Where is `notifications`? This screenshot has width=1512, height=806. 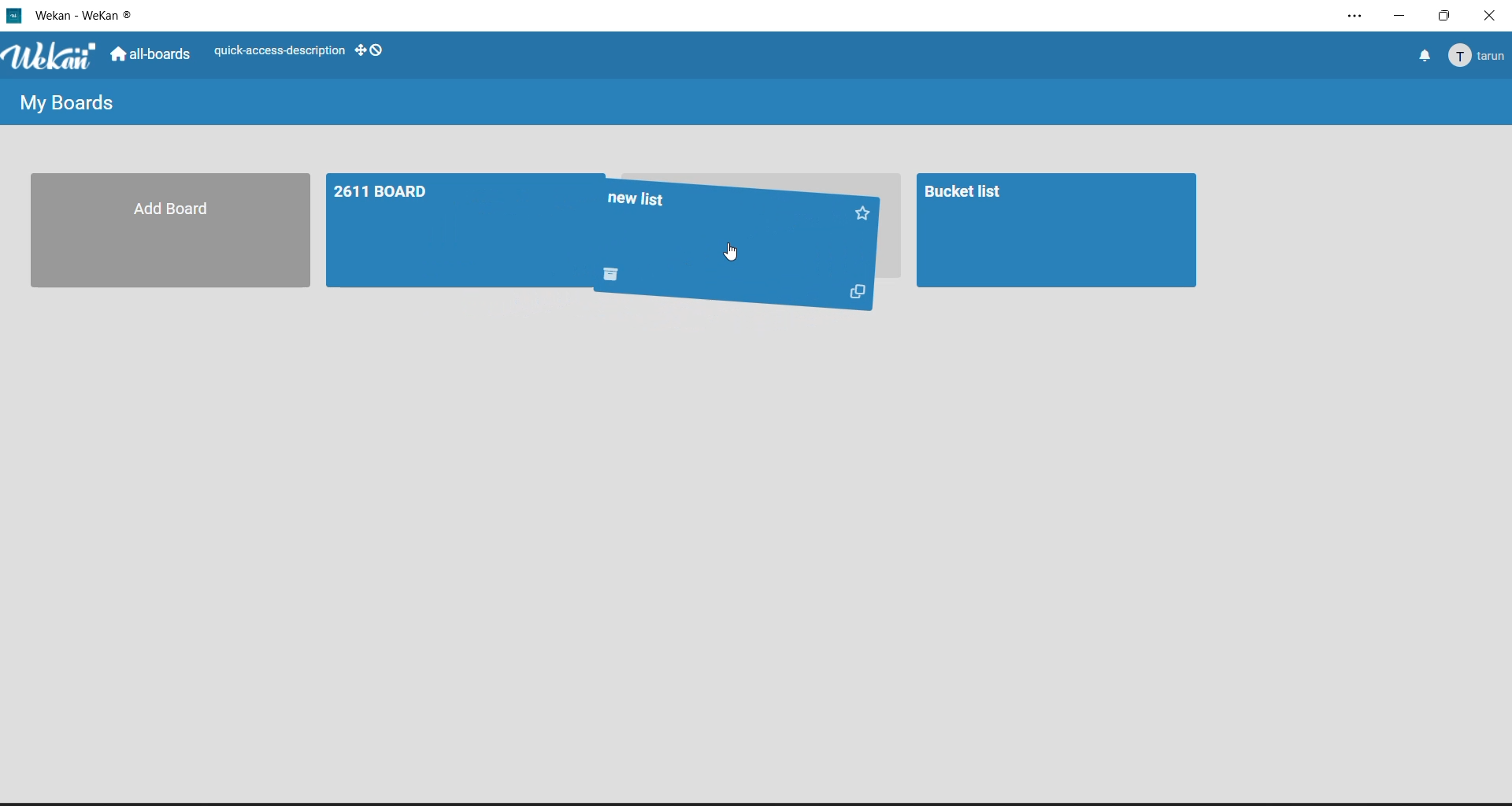 notifications is located at coordinates (1423, 54).